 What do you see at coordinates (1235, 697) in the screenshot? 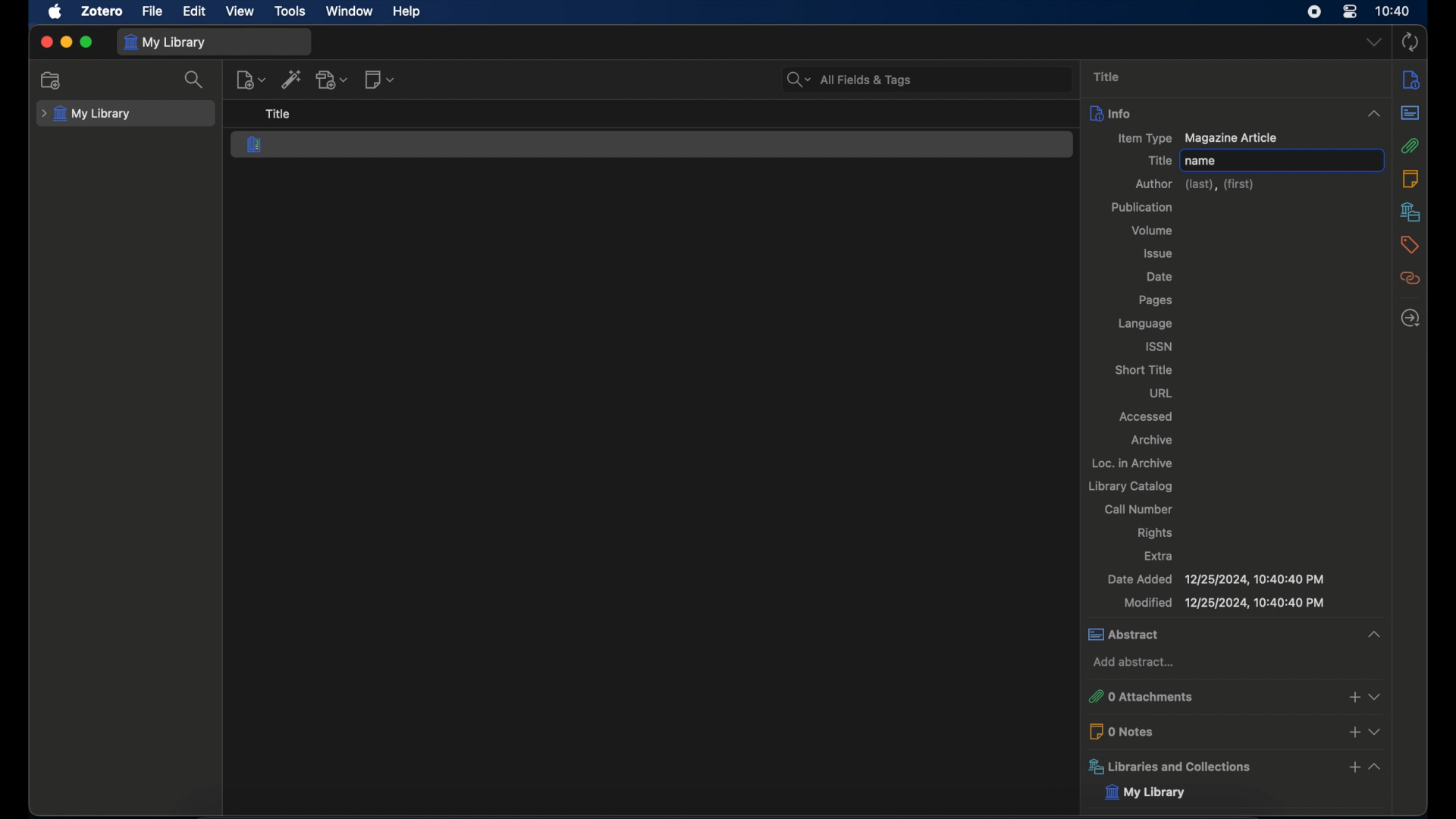
I see `0 attachments` at bounding box center [1235, 697].